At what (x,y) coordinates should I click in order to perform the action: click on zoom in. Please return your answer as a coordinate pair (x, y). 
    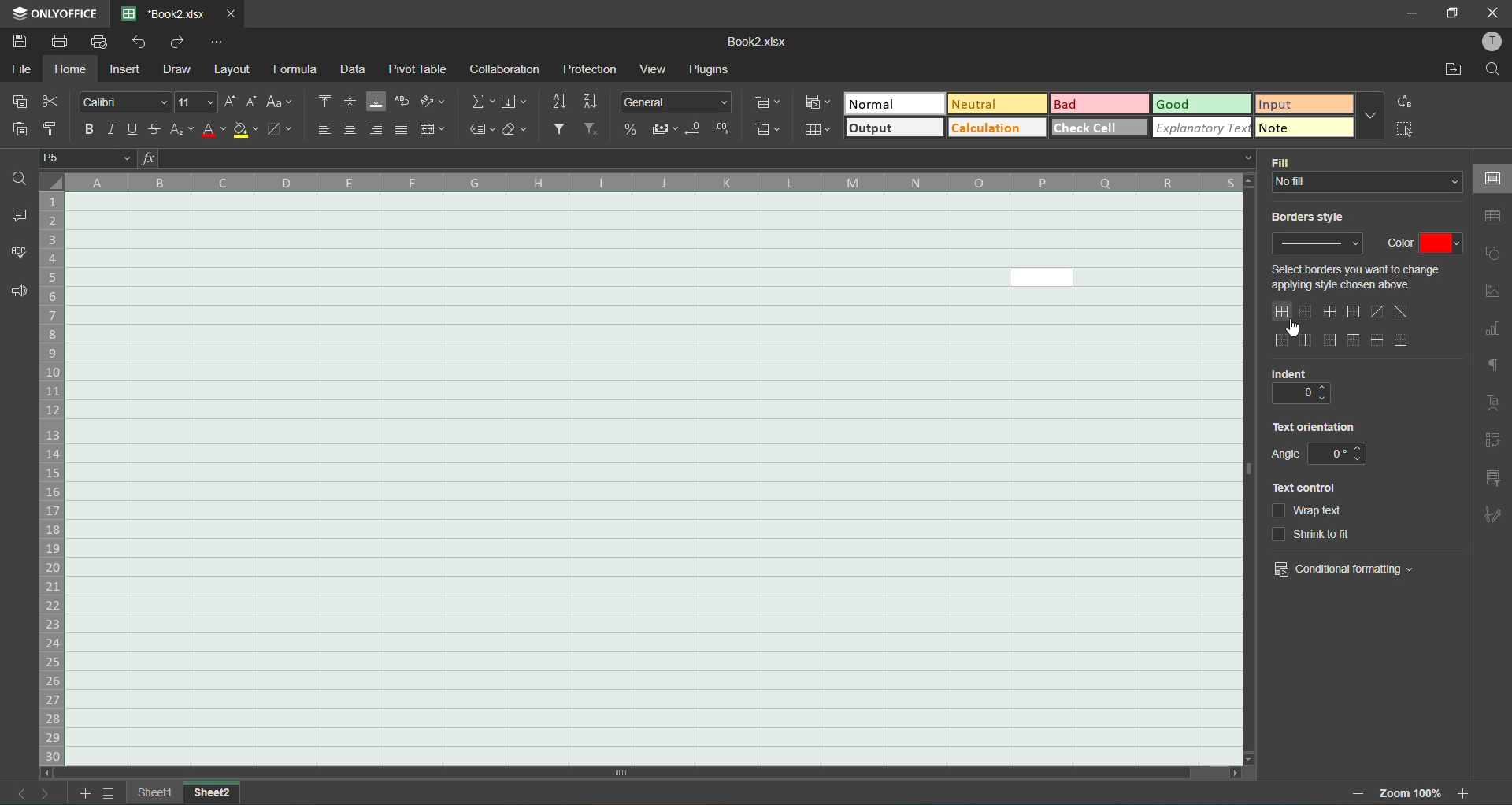
    Looking at the image, I should click on (1464, 793).